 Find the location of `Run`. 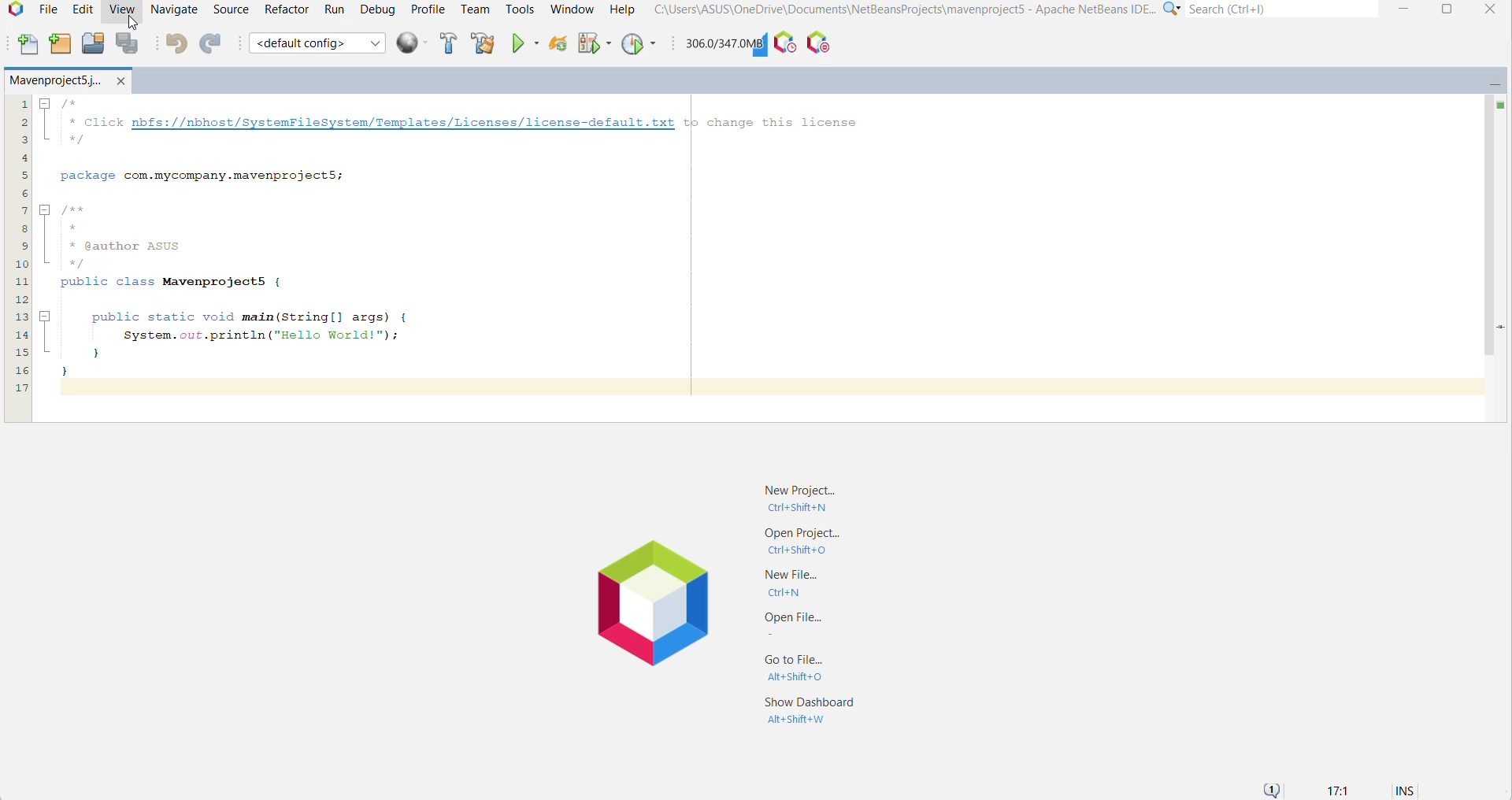

Run is located at coordinates (335, 9).